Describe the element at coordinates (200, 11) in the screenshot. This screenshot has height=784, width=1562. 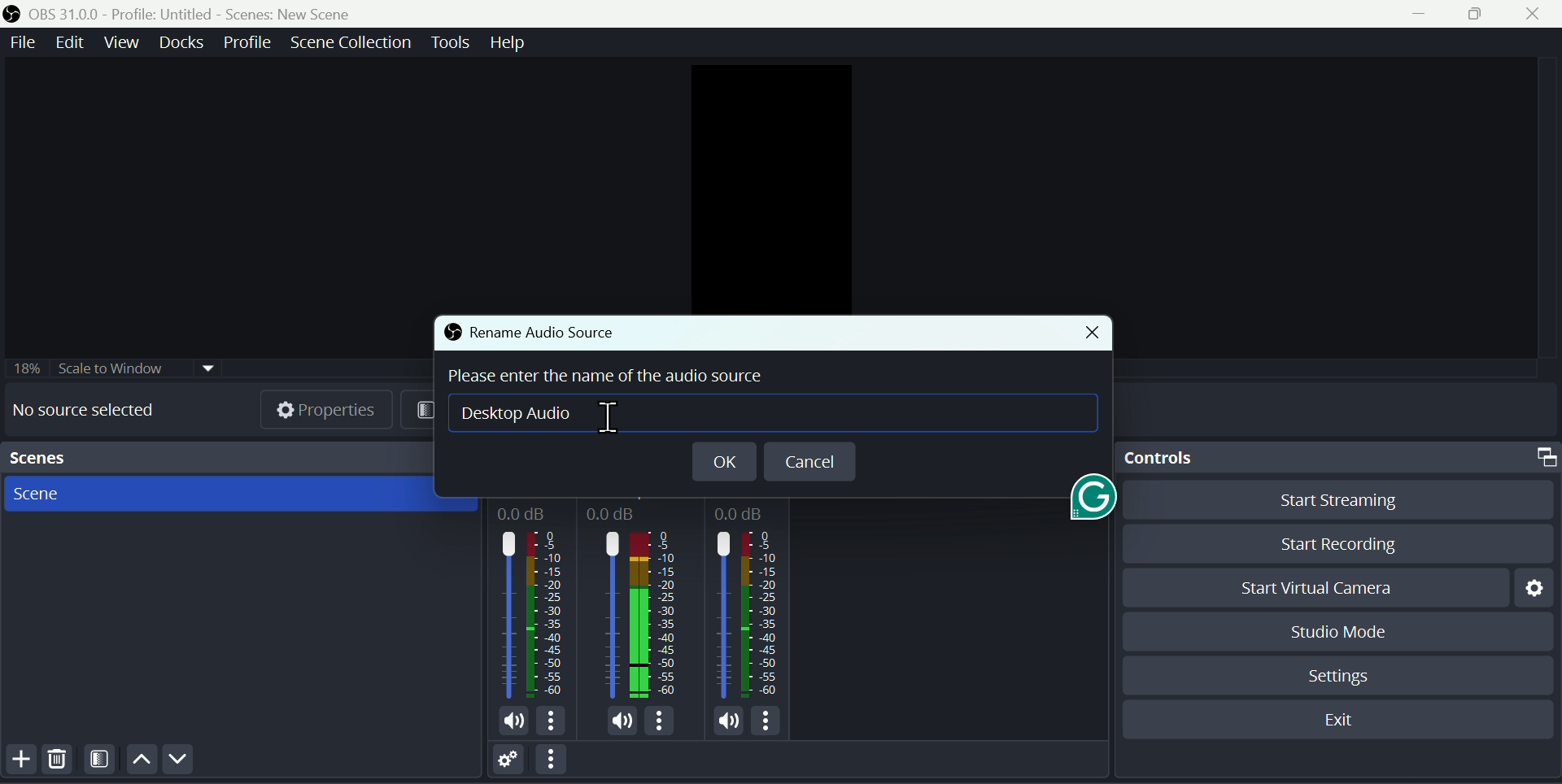
I see `OBS 31.0.0 Profile: Untitled - Scenes: New Scene` at that location.